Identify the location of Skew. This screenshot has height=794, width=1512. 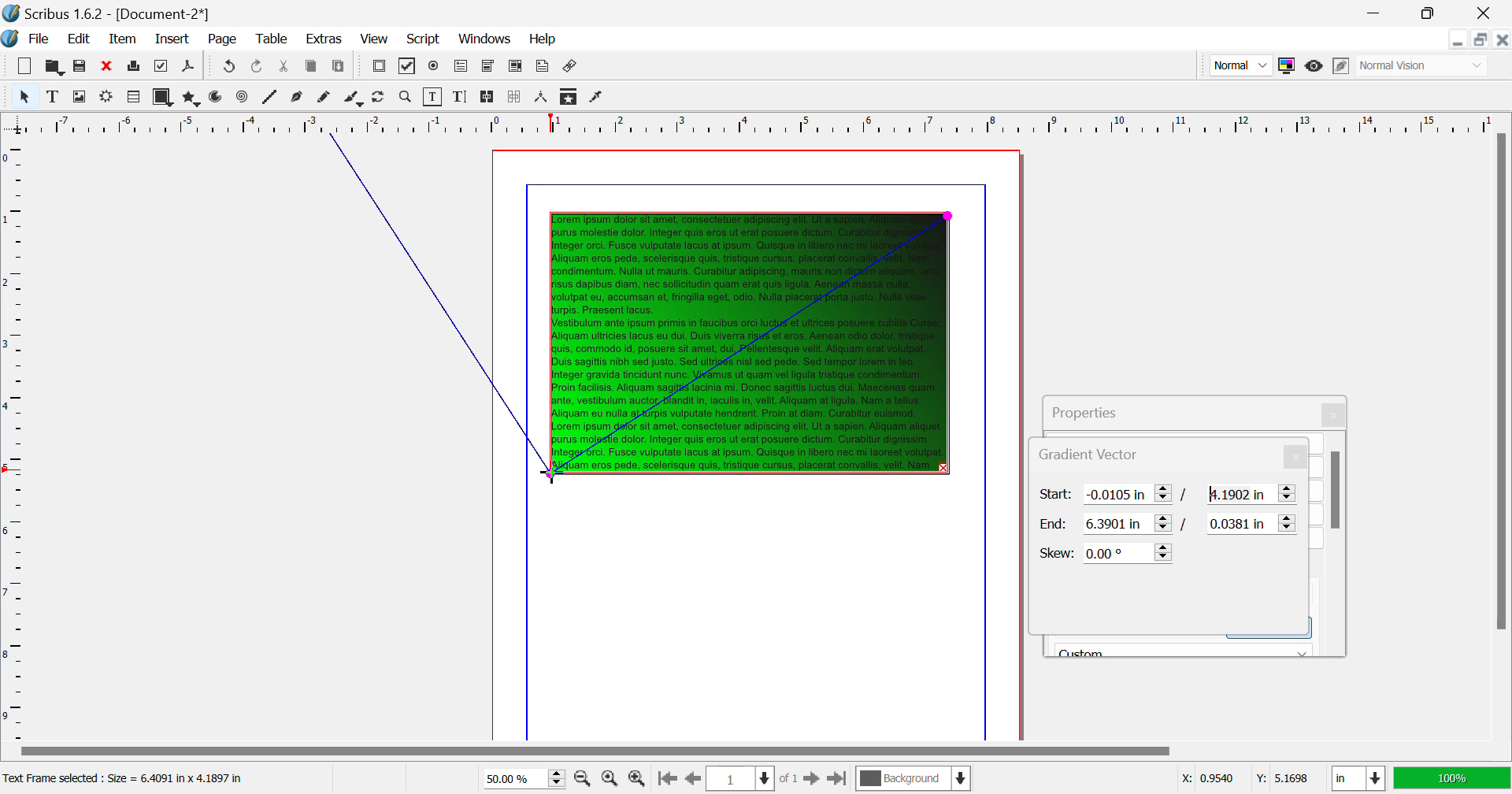
(1107, 552).